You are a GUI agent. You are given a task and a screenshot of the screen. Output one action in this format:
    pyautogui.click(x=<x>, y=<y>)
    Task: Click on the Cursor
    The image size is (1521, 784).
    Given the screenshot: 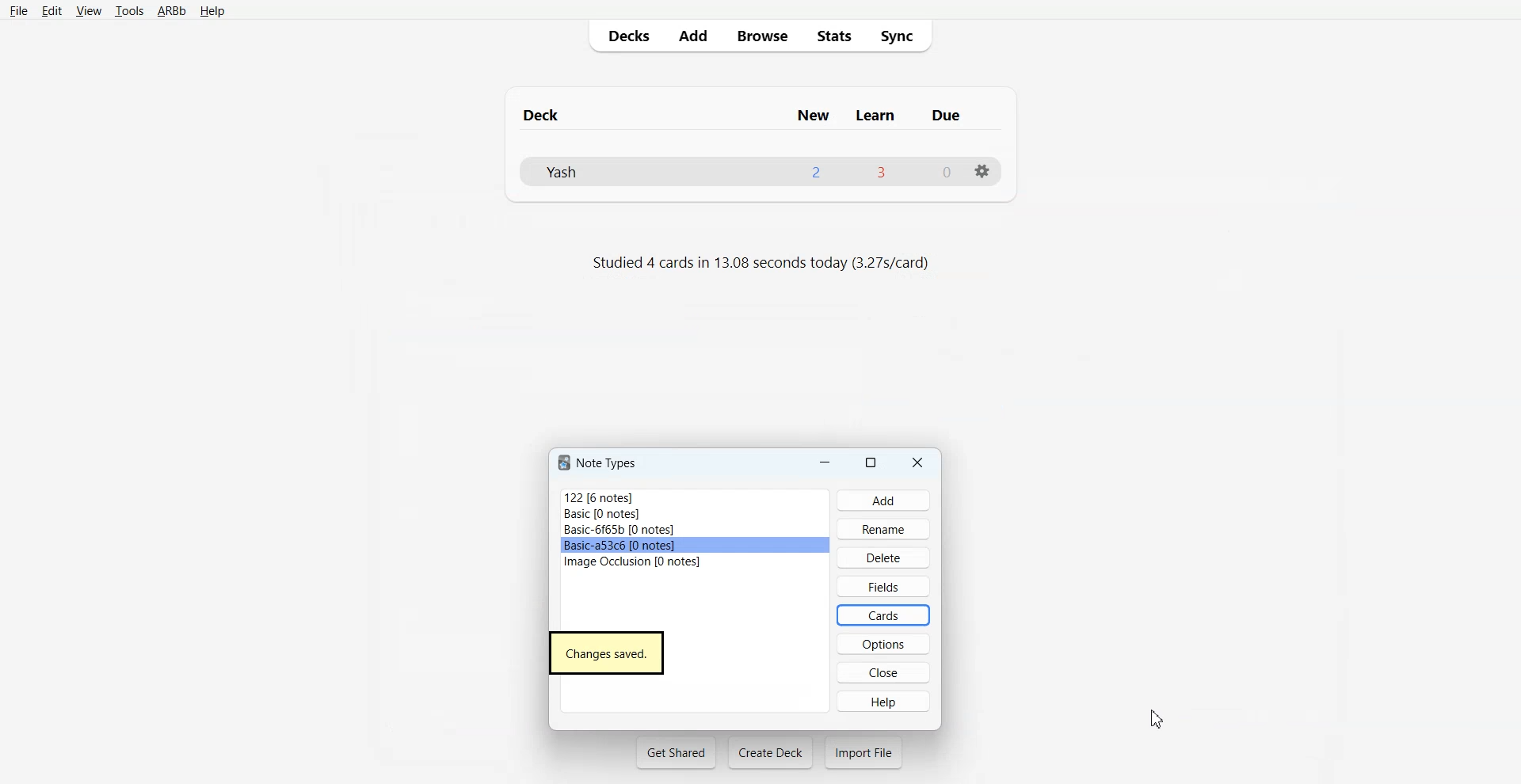 What is the action you would take?
    pyautogui.click(x=1159, y=718)
    